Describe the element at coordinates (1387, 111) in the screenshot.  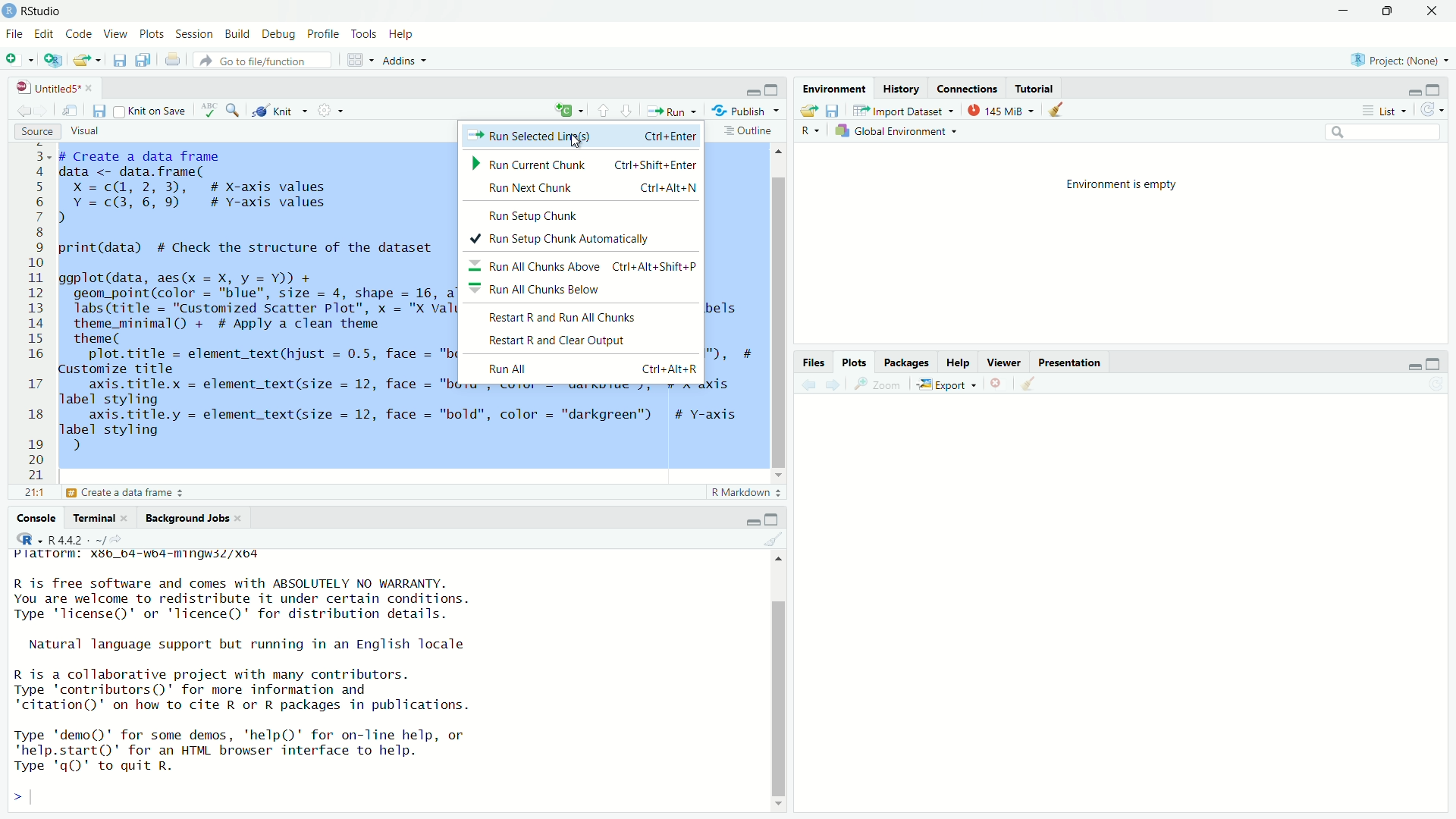
I see `Liist` at that location.